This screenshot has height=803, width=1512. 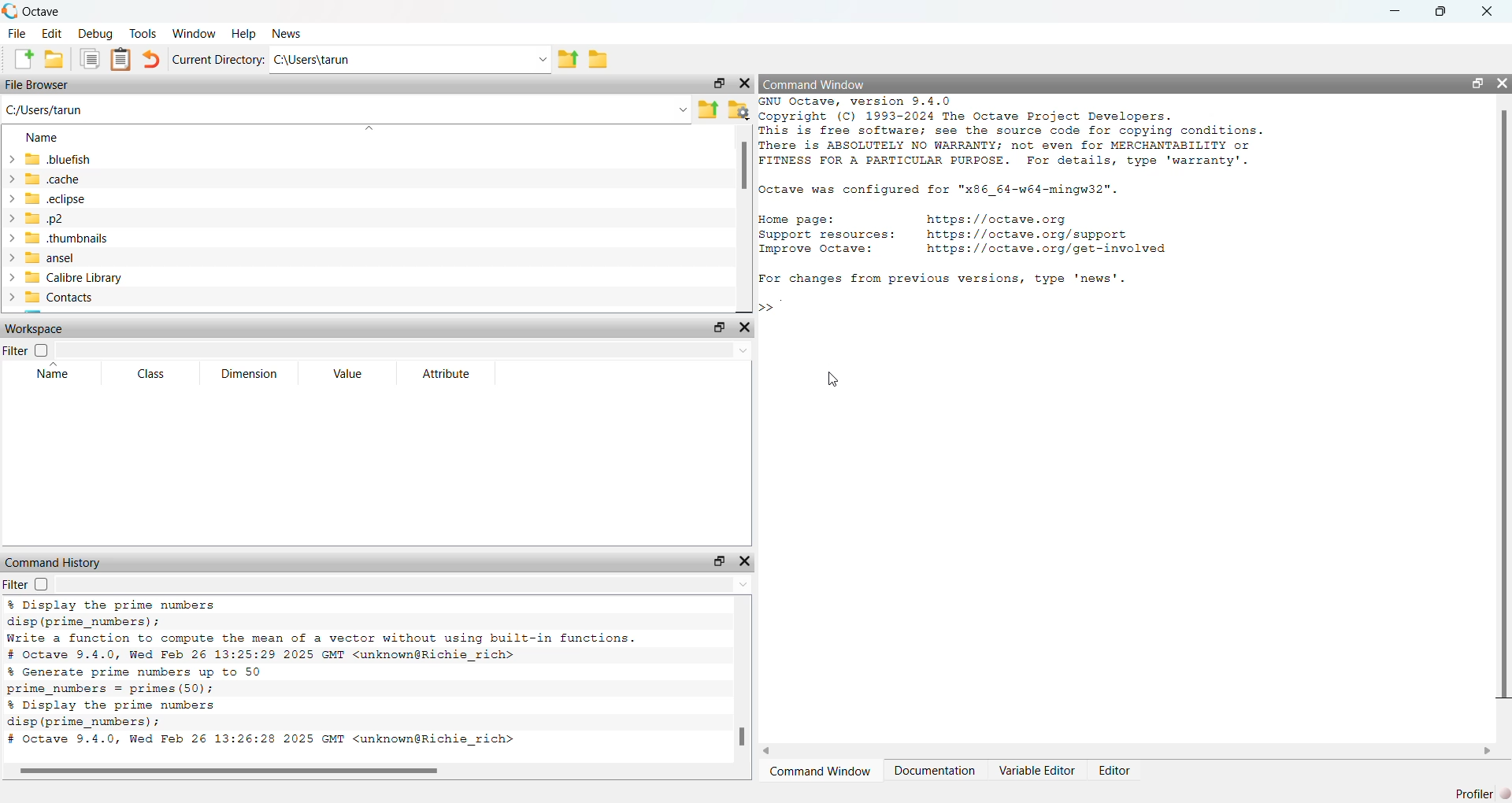 What do you see at coordinates (54, 563) in the screenshot?
I see `Command History` at bounding box center [54, 563].